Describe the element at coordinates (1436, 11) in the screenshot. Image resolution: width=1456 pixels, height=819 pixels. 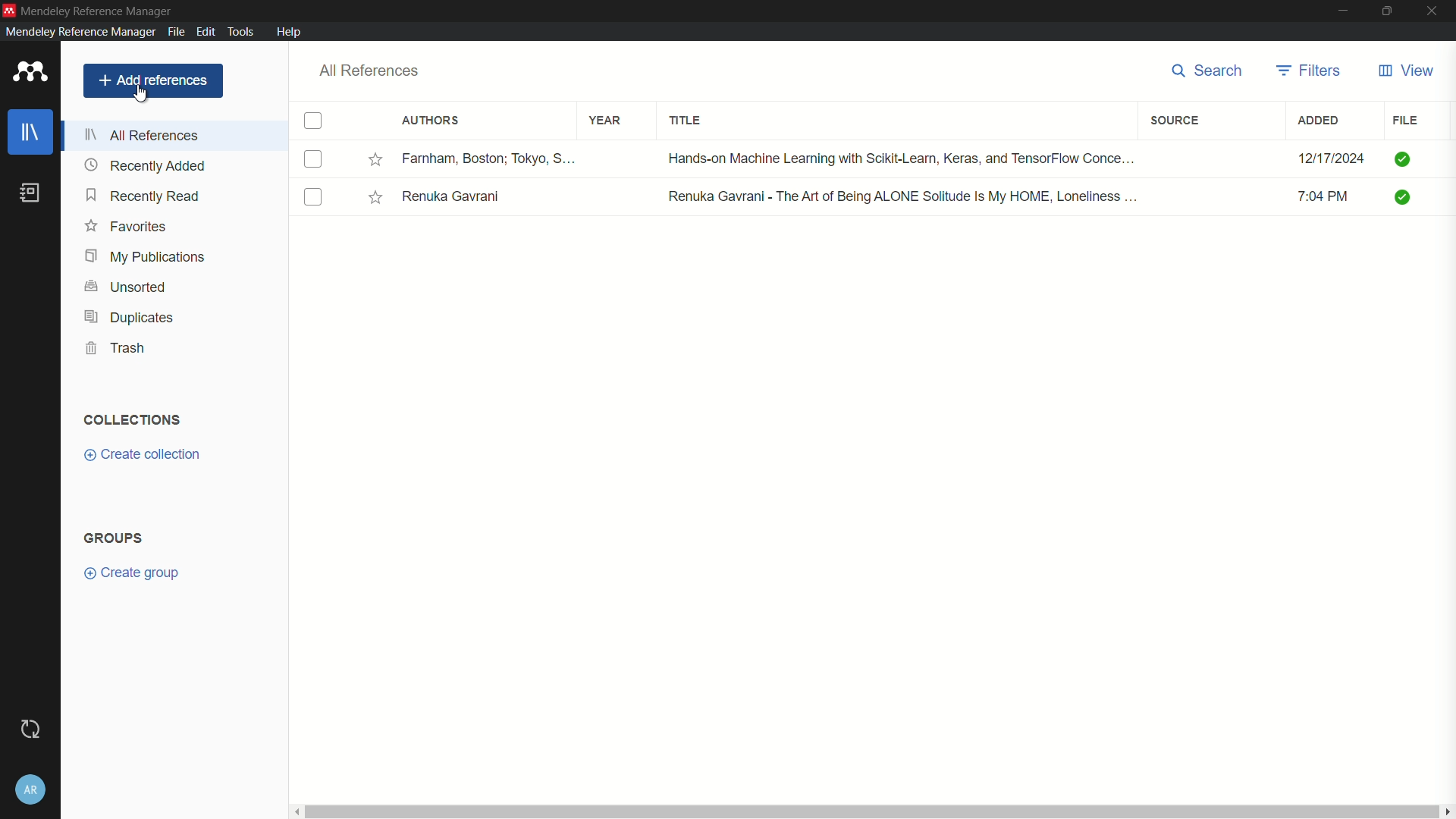
I see `close` at that location.